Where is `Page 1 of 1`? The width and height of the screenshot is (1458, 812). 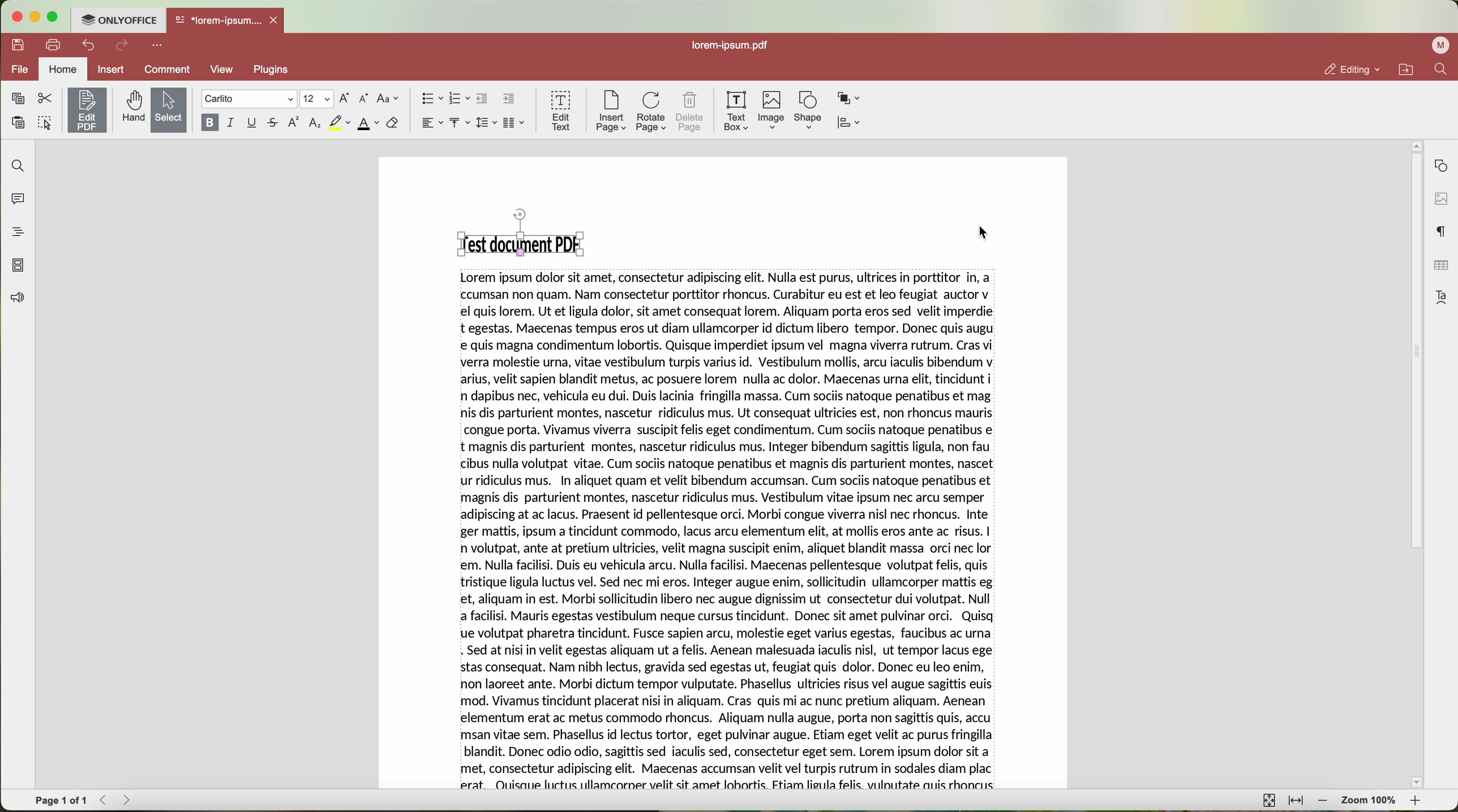 Page 1 of 1 is located at coordinates (61, 800).